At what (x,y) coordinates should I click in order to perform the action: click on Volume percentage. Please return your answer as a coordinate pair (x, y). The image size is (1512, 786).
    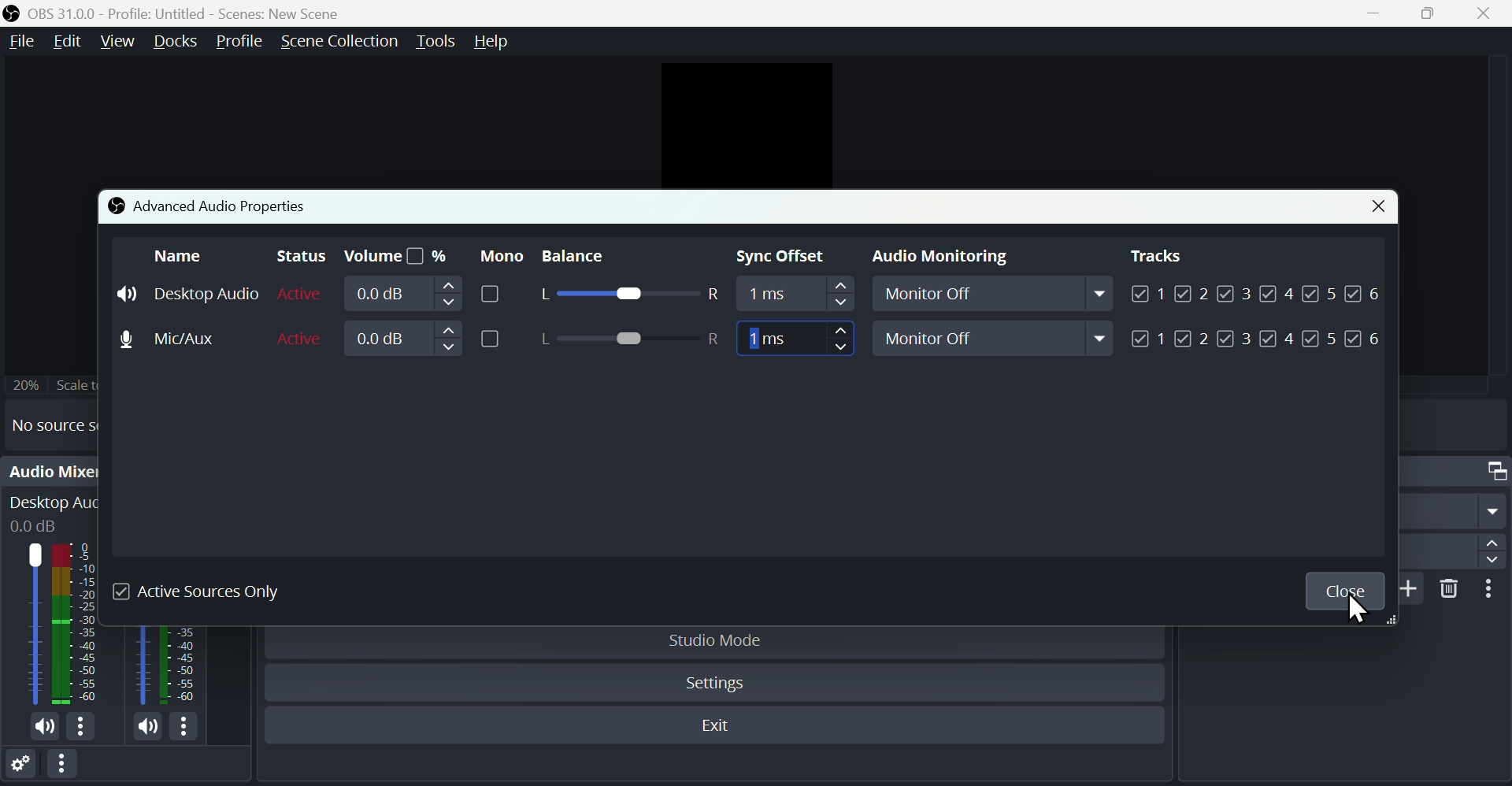
    Looking at the image, I should click on (395, 257).